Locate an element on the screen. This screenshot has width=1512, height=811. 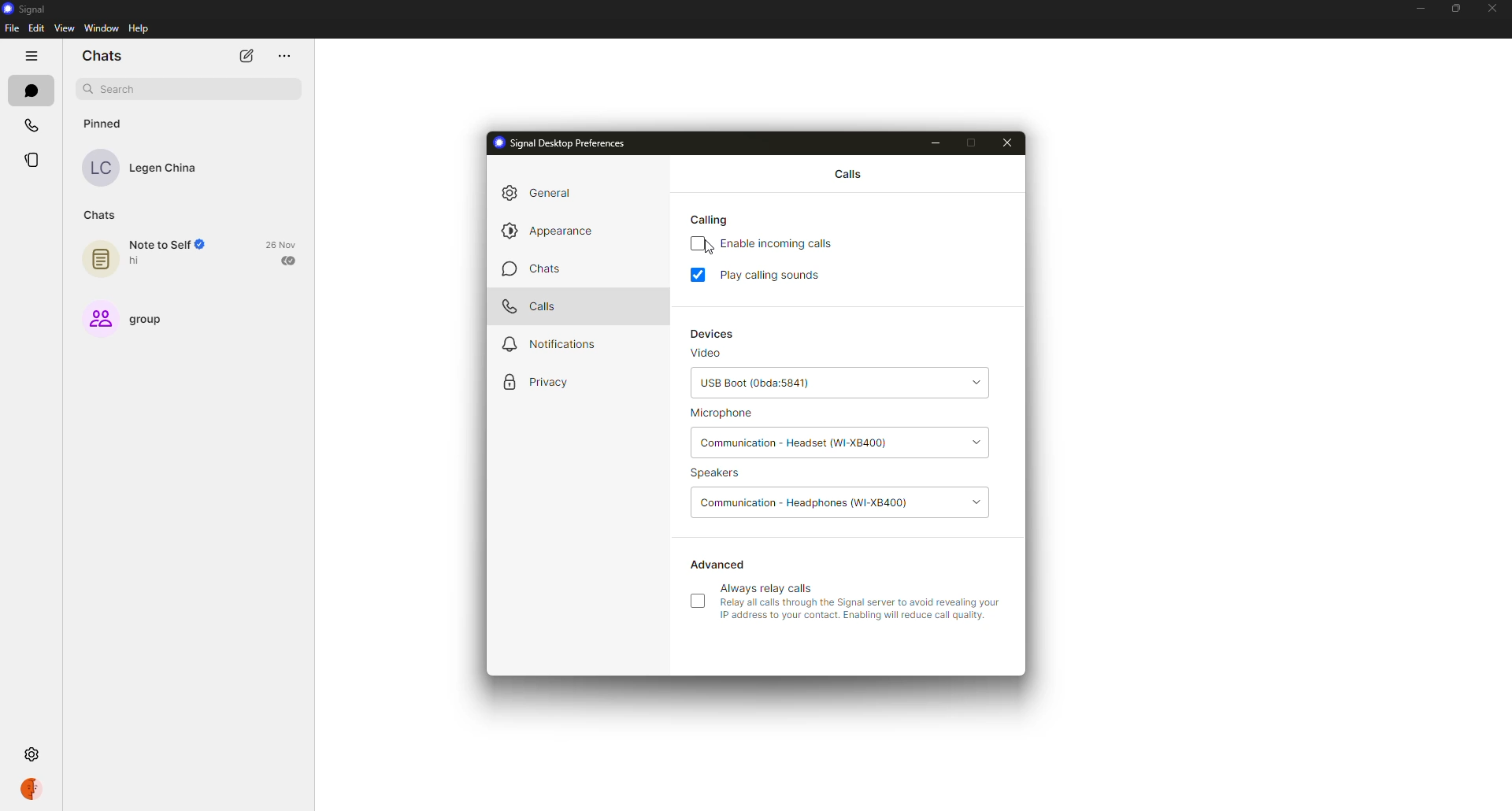
close is located at coordinates (1009, 143).